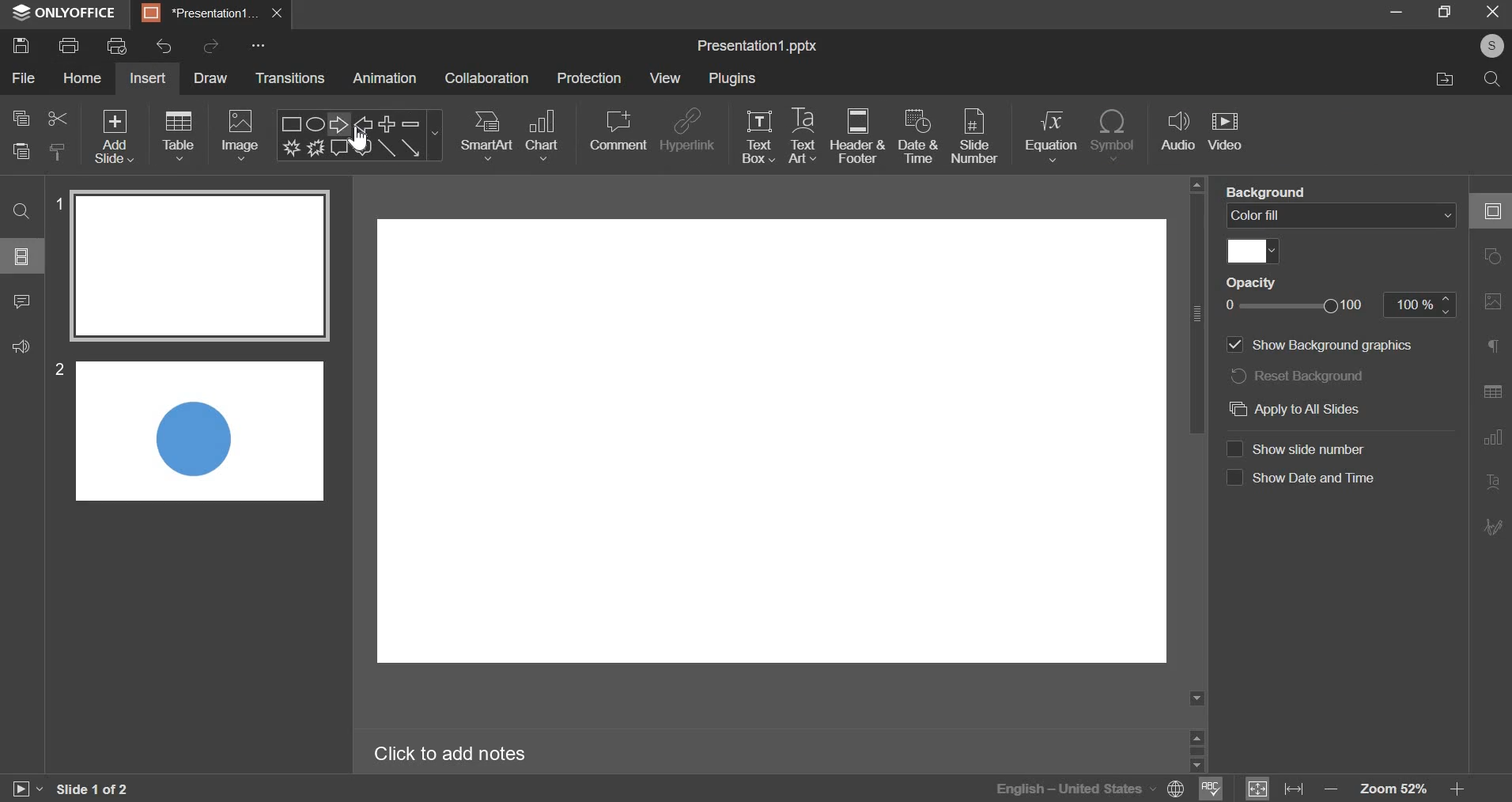 This screenshot has height=802, width=1512. What do you see at coordinates (340, 148) in the screenshot?
I see `Rectangular callout` at bounding box center [340, 148].